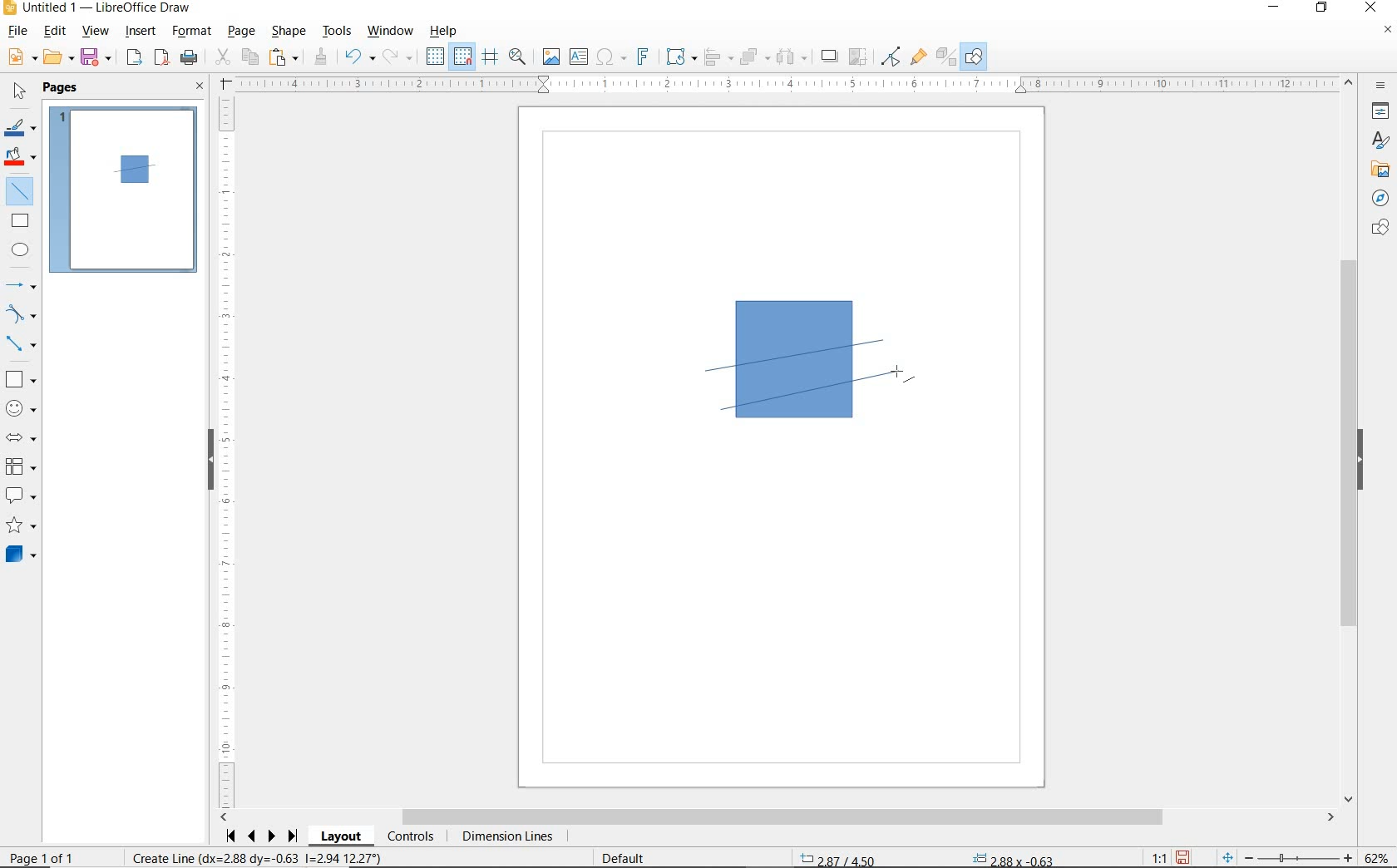  What do you see at coordinates (263, 836) in the screenshot?
I see `SCROLL NEXT` at bounding box center [263, 836].